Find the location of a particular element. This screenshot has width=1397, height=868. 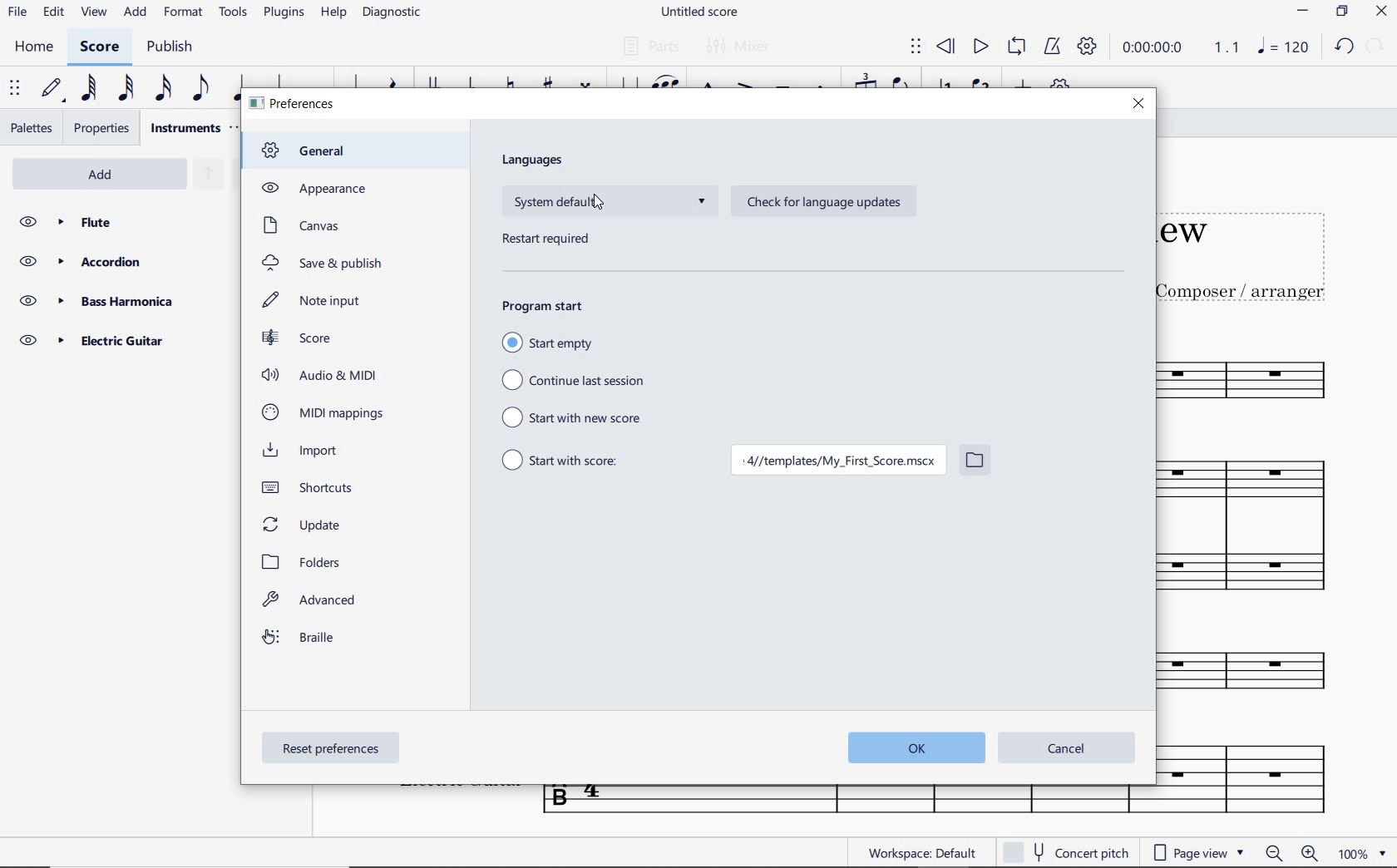

restart required is located at coordinates (549, 241).